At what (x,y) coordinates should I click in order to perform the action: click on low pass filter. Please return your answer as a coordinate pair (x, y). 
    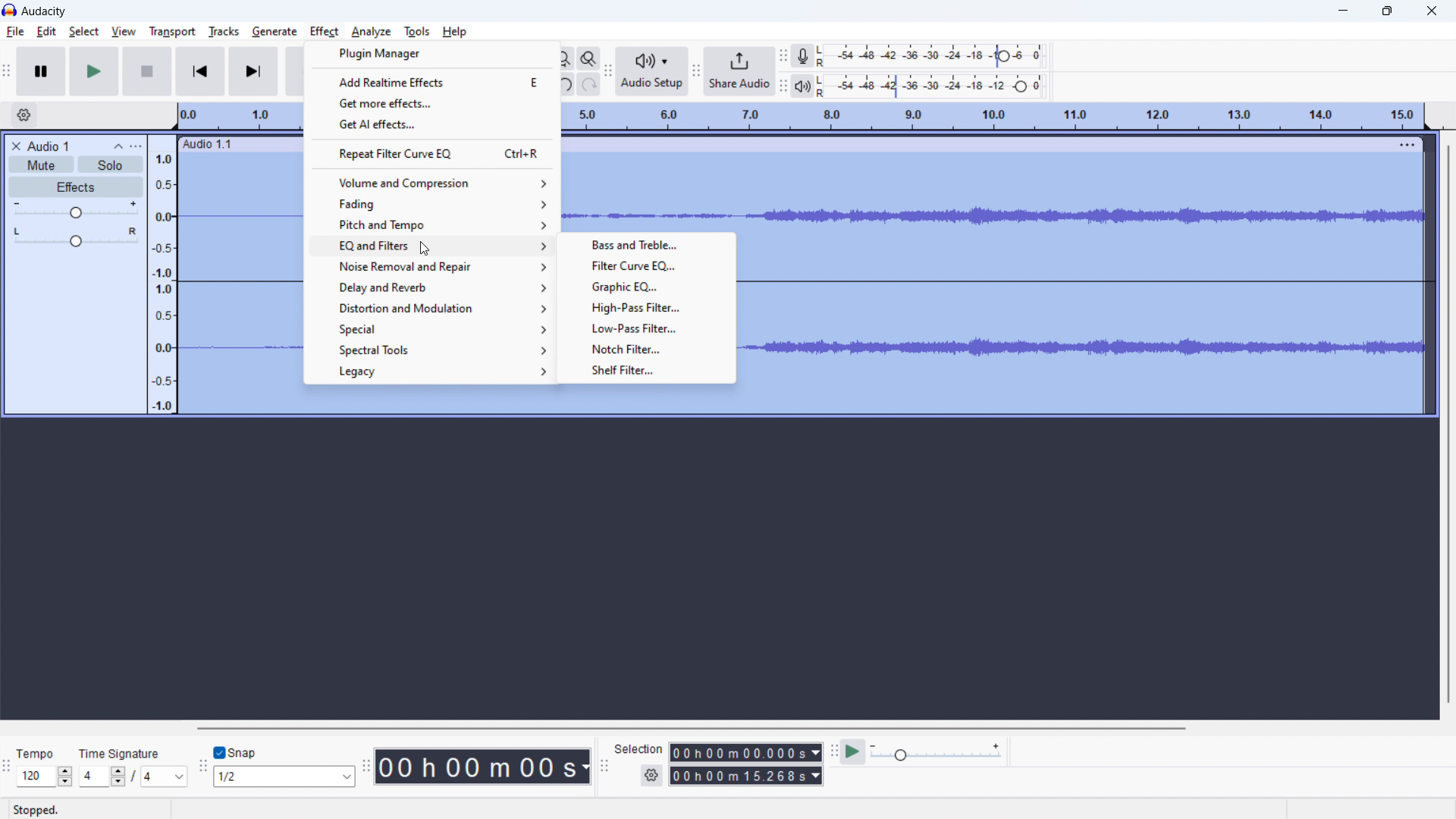
    Looking at the image, I should click on (648, 328).